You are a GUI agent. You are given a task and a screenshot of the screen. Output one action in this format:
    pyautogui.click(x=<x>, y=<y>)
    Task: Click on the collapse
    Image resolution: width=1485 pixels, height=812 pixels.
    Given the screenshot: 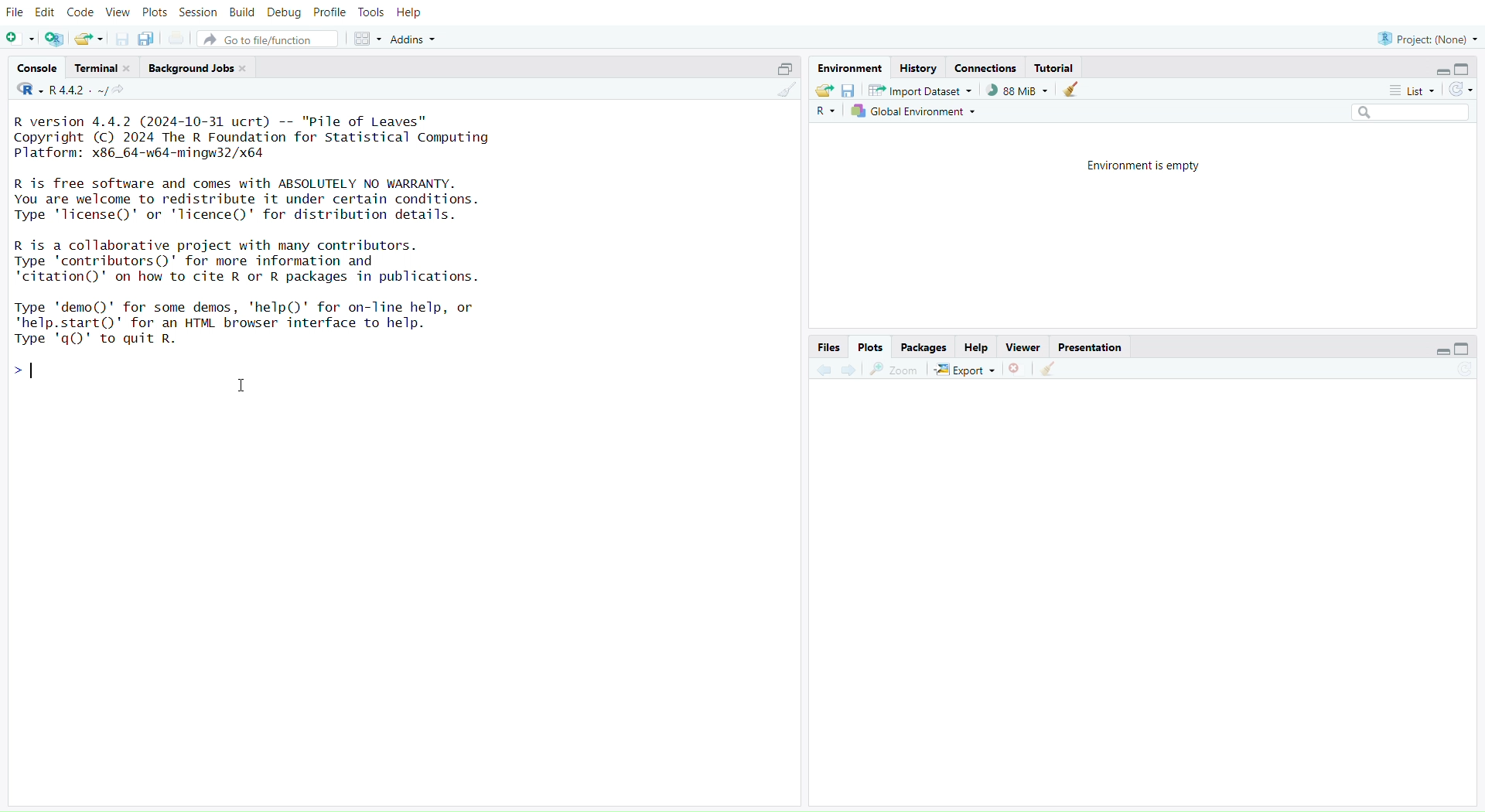 What is the action you would take?
    pyautogui.click(x=1461, y=350)
    